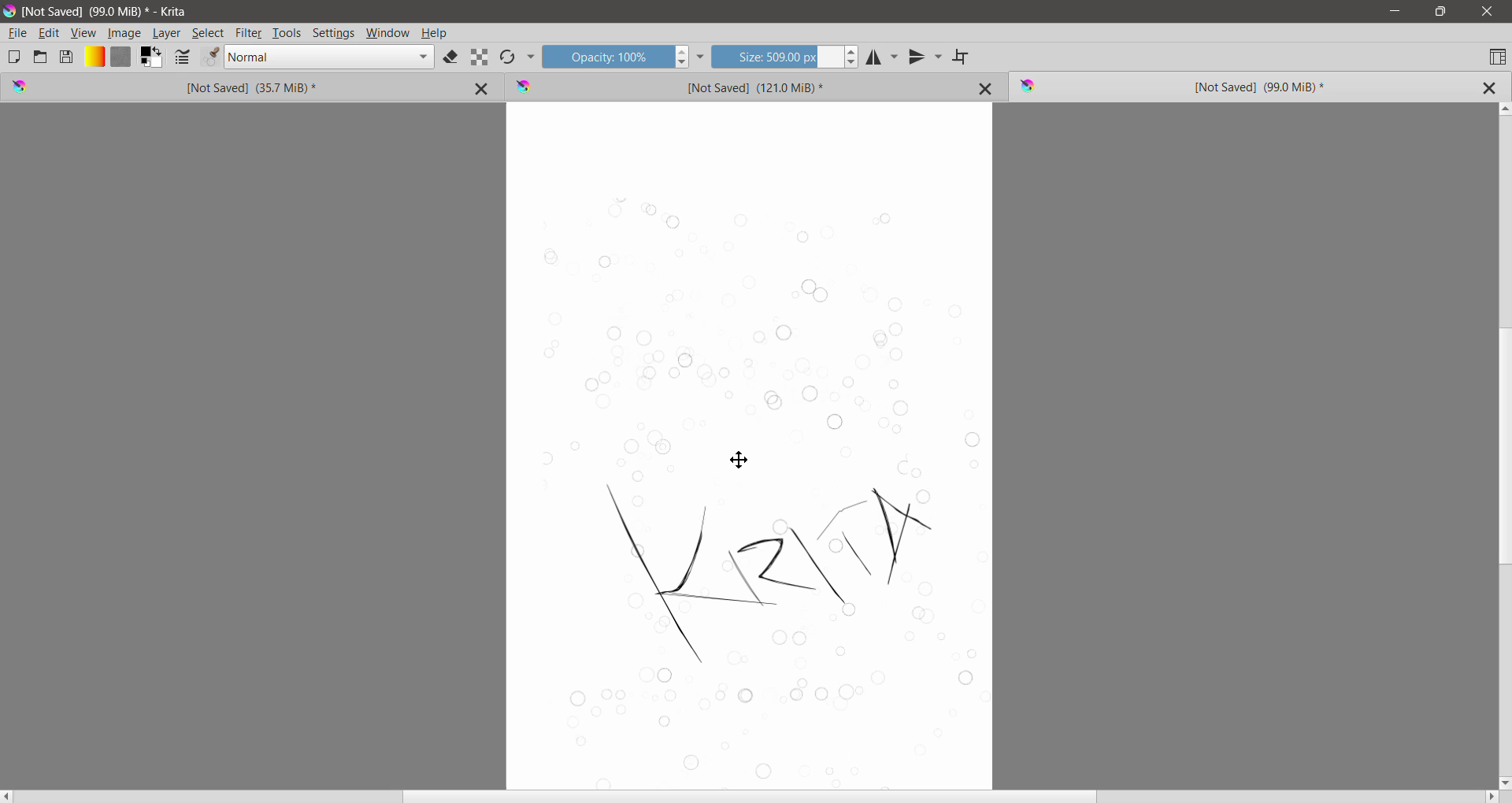 The height and width of the screenshot is (803, 1512). Describe the element at coordinates (480, 57) in the screenshot. I see `Preserve Alpha` at that location.